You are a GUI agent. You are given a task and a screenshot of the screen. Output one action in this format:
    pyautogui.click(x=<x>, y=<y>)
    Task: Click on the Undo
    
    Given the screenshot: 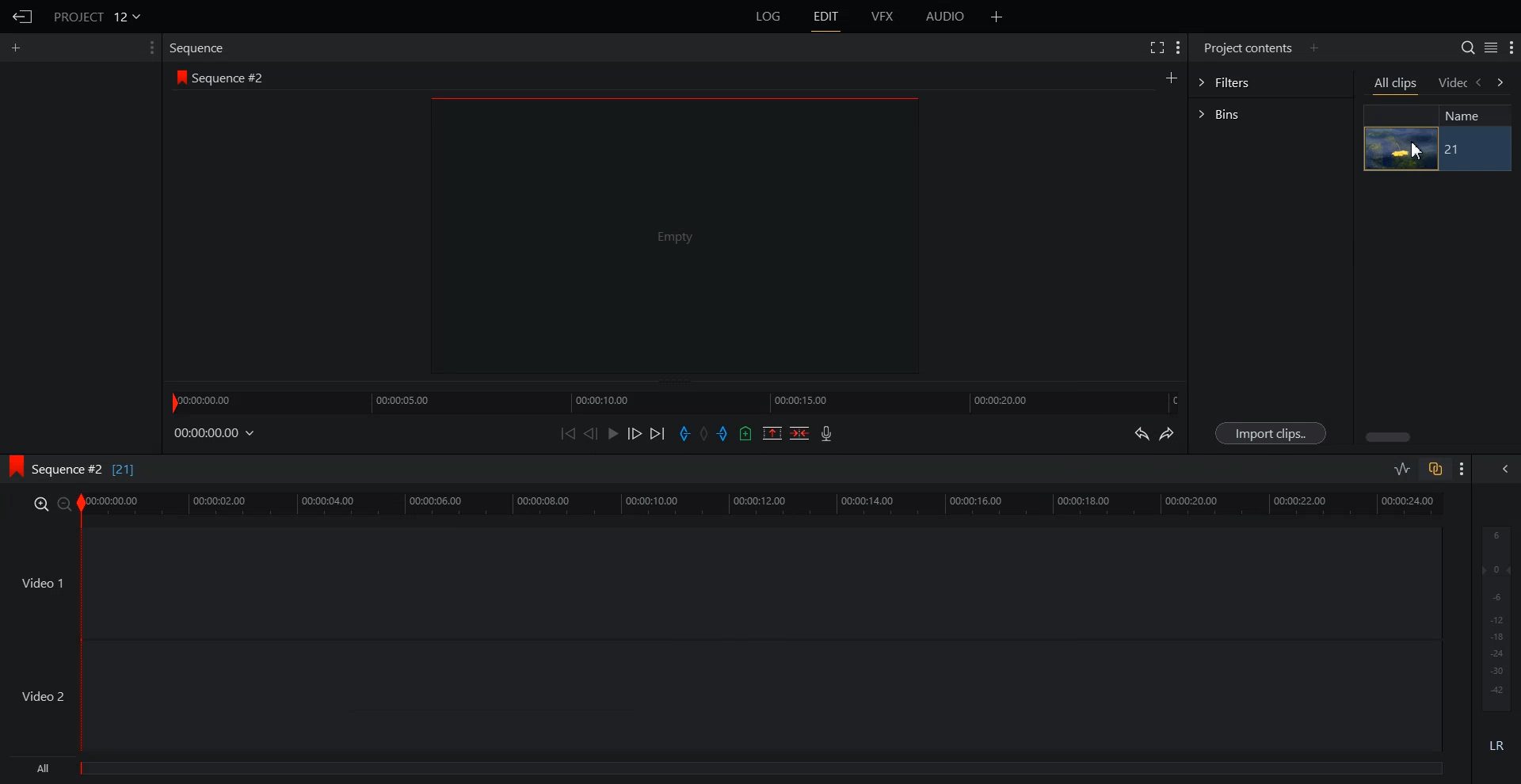 What is the action you would take?
    pyautogui.click(x=1141, y=433)
    